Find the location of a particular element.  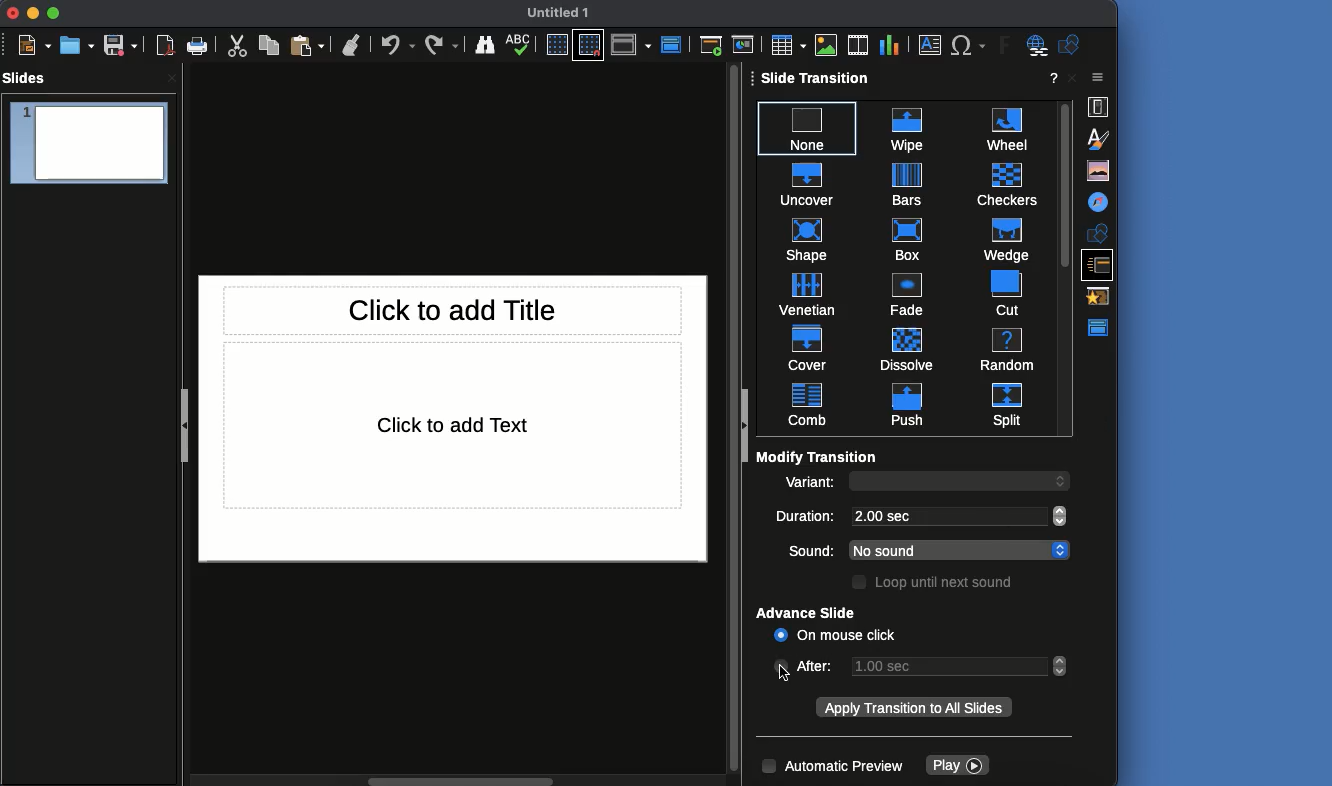

Apply transition to all slides is located at coordinates (913, 709).